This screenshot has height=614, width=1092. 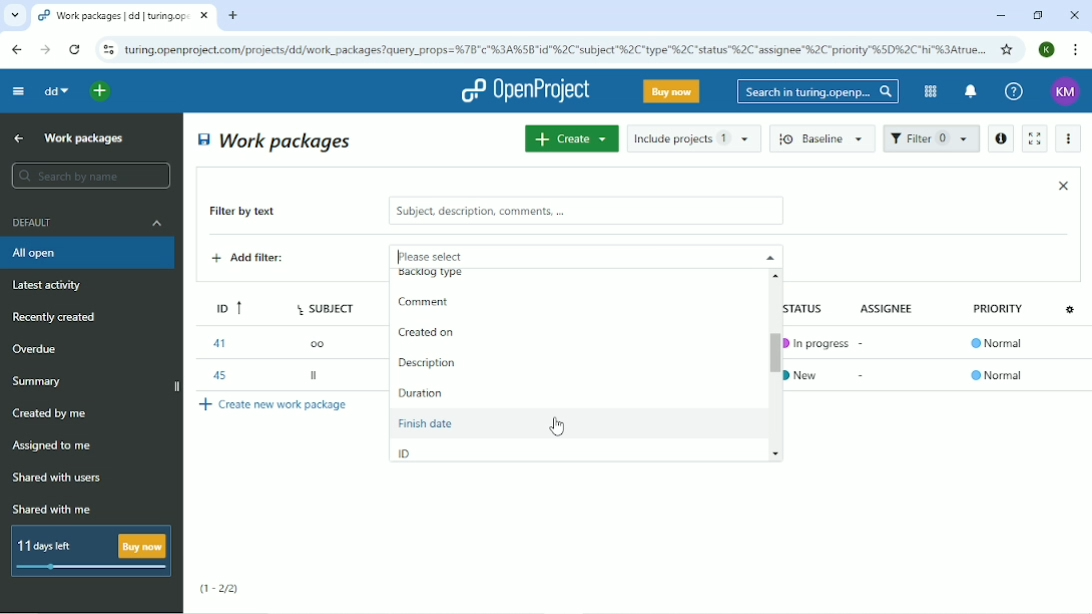 I want to click on Close, so click(x=1074, y=15).